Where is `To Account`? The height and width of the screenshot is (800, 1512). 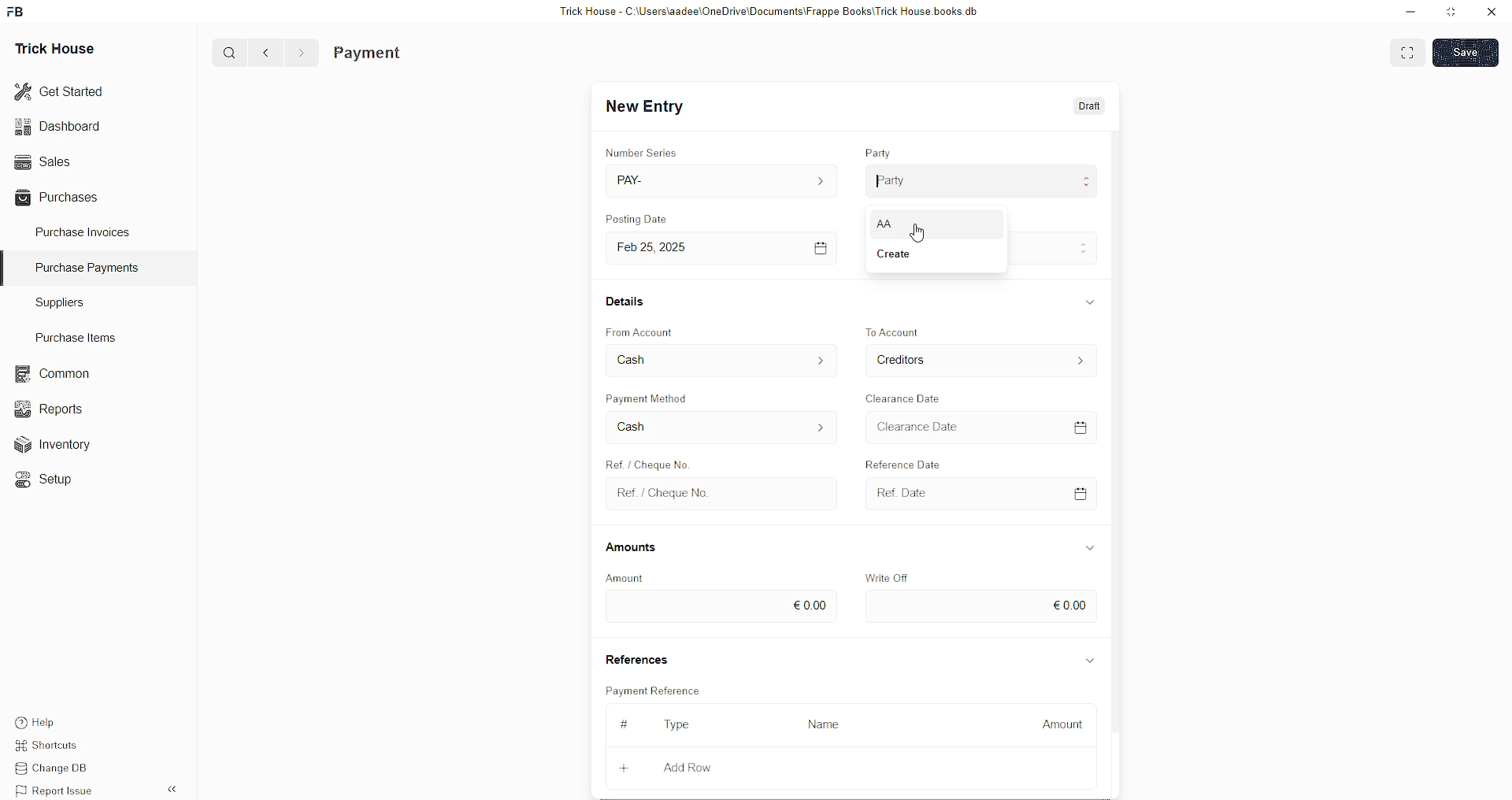
To Account is located at coordinates (896, 331).